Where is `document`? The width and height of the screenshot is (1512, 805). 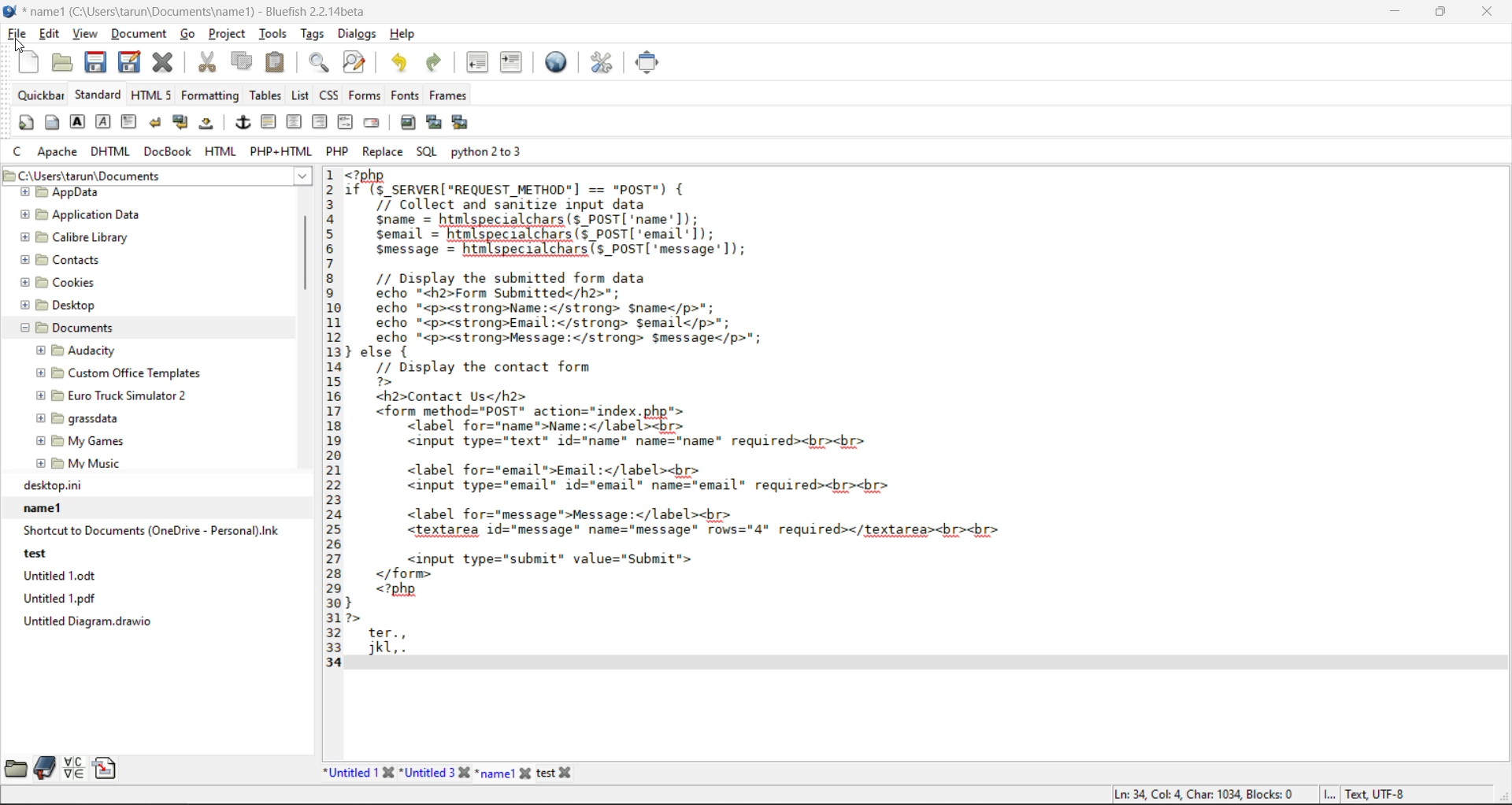
document is located at coordinates (140, 35).